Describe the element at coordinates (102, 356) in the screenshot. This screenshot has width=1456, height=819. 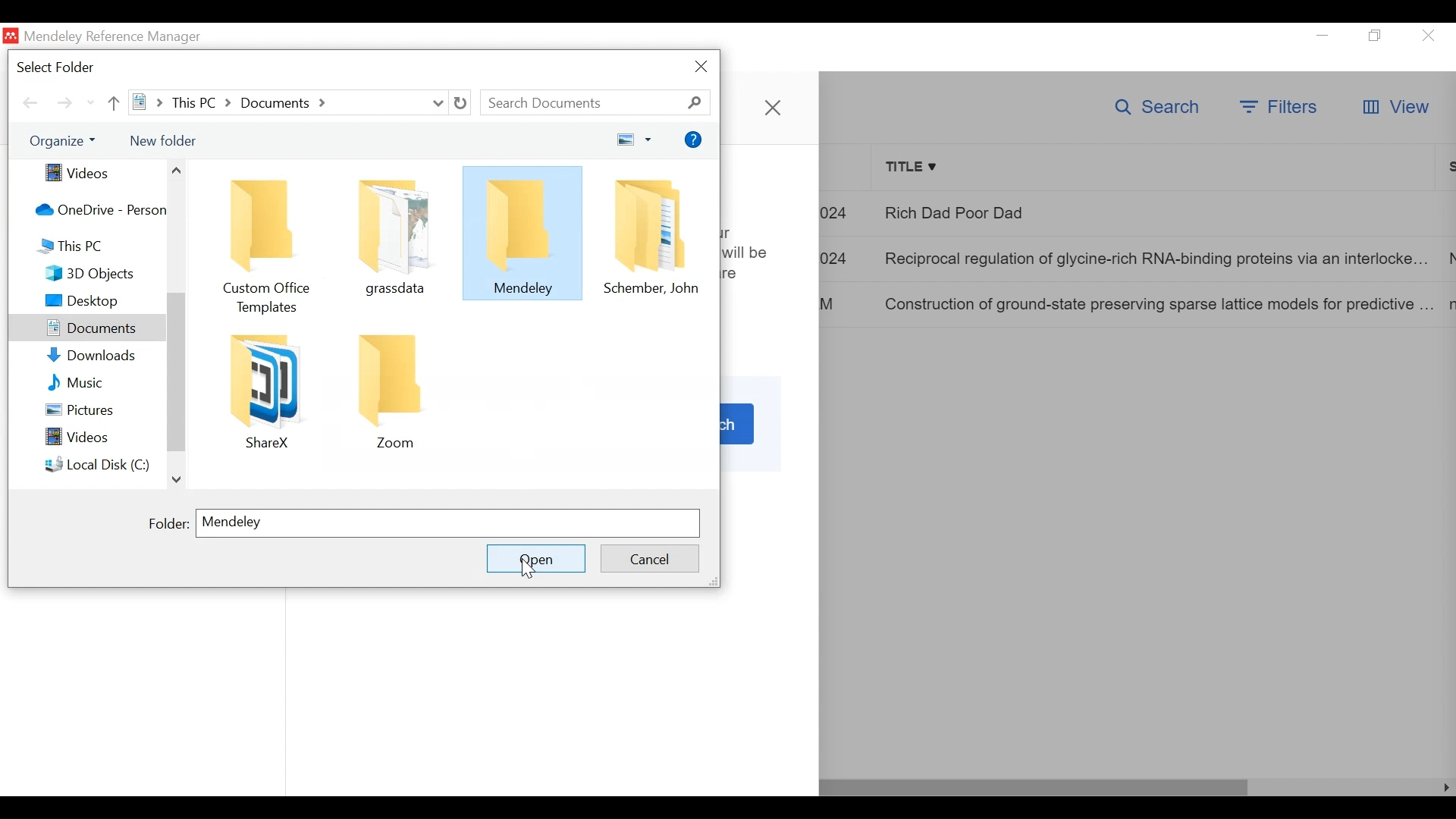
I see `Downloads` at that location.